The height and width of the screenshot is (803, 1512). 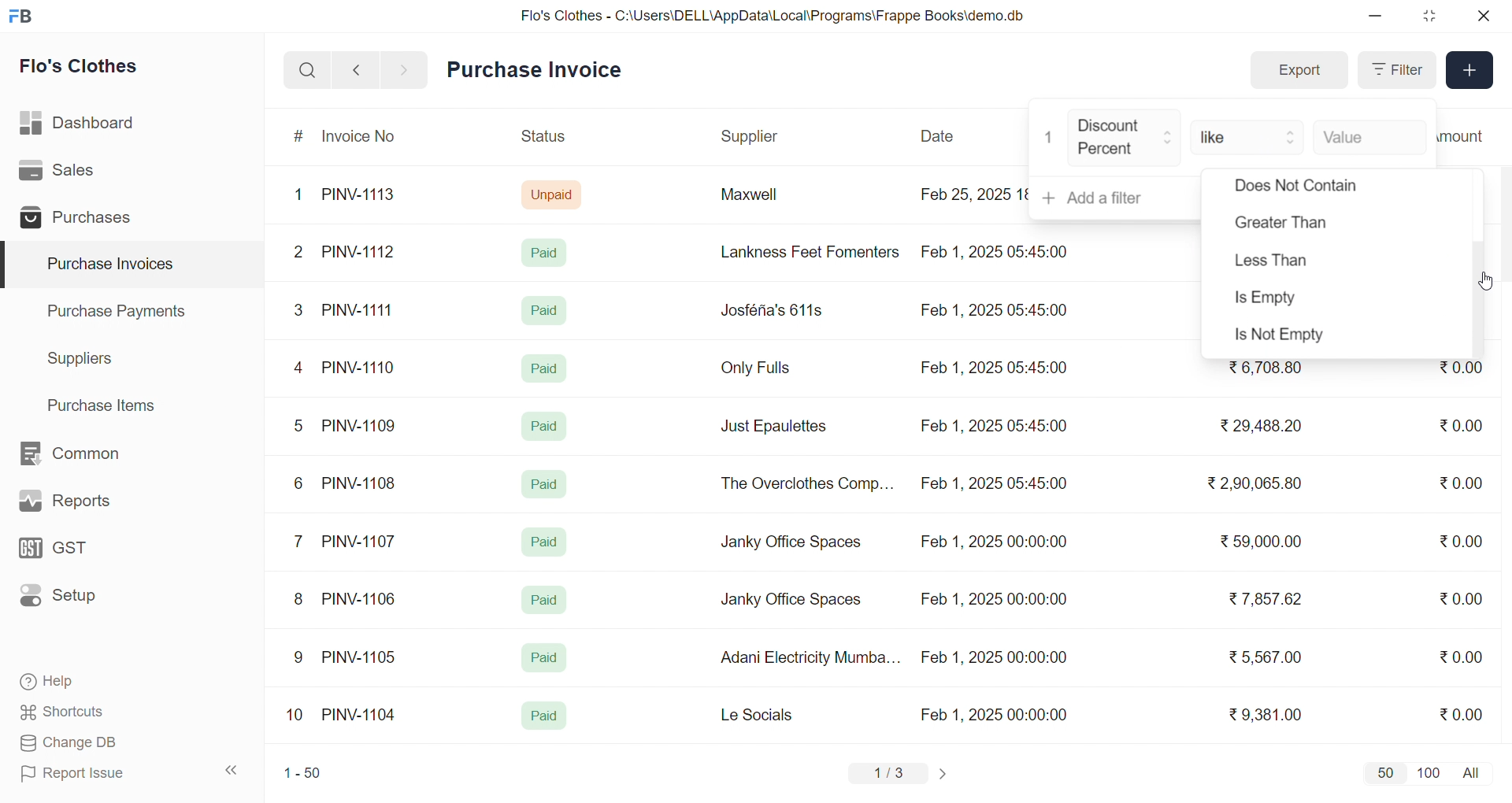 What do you see at coordinates (99, 712) in the screenshot?
I see `Shortcuts` at bounding box center [99, 712].